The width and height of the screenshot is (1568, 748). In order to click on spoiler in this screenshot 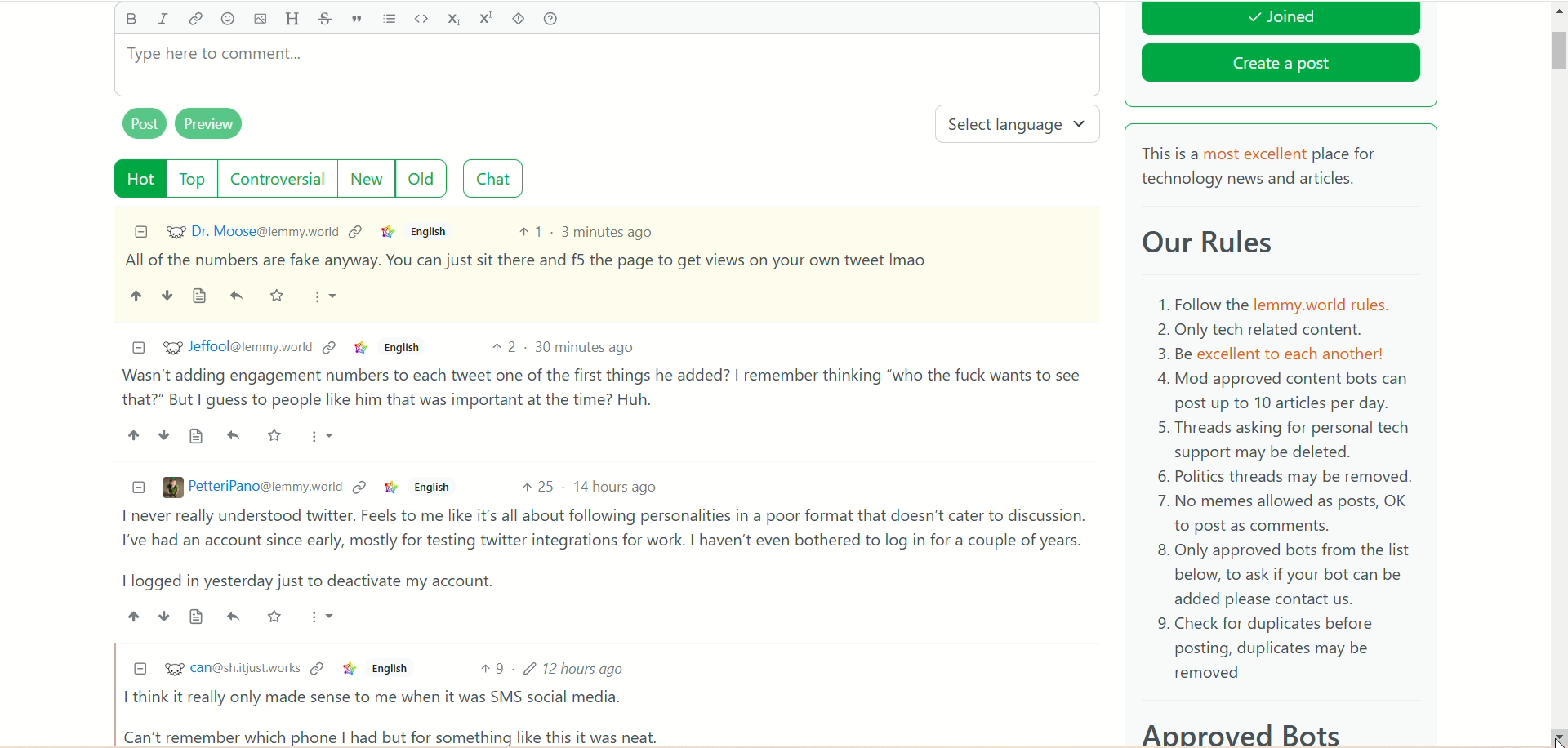, I will do `click(519, 19)`.